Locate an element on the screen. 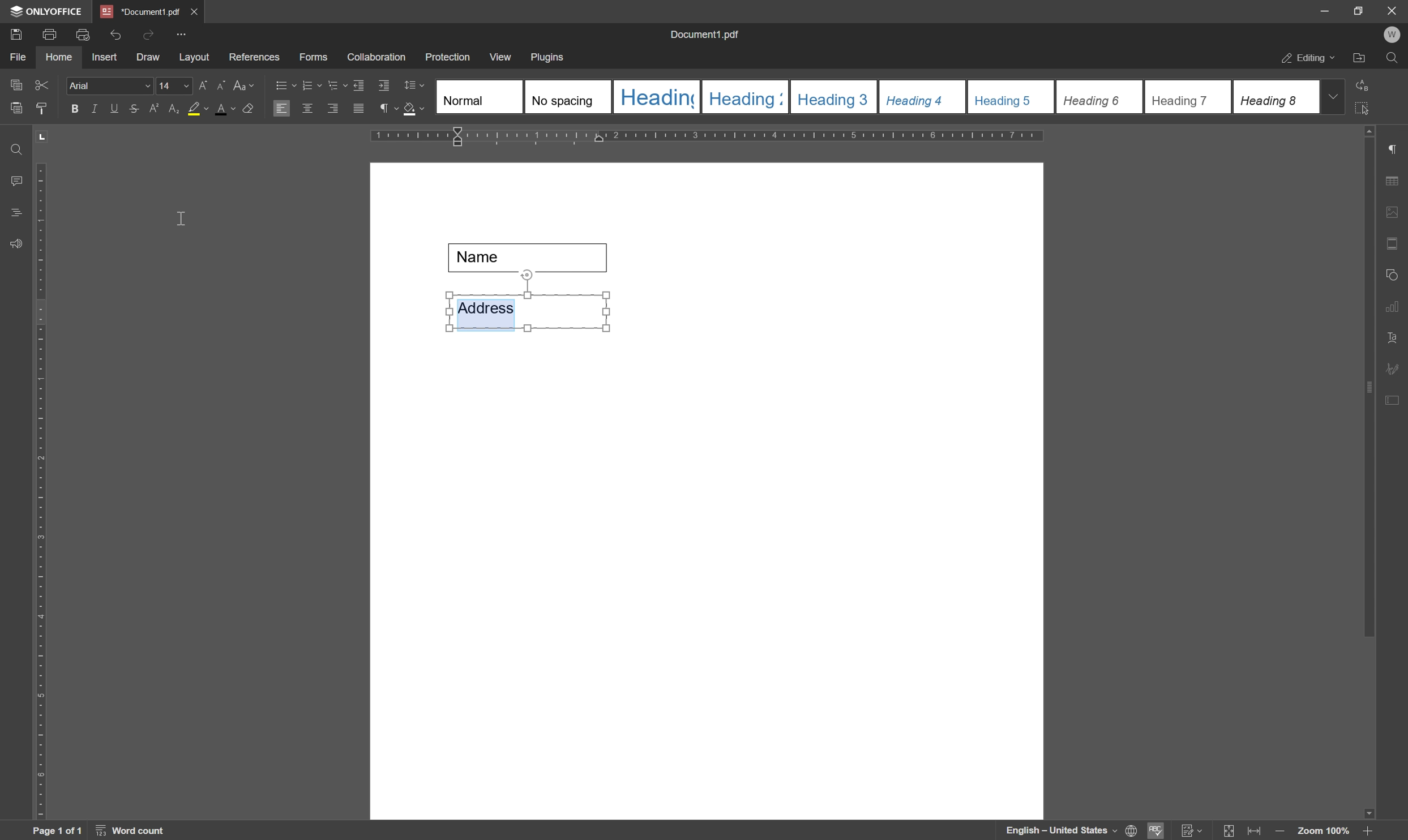 Image resolution: width=1408 pixels, height=840 pixels. table settings is located at coordinates (1396, 182).